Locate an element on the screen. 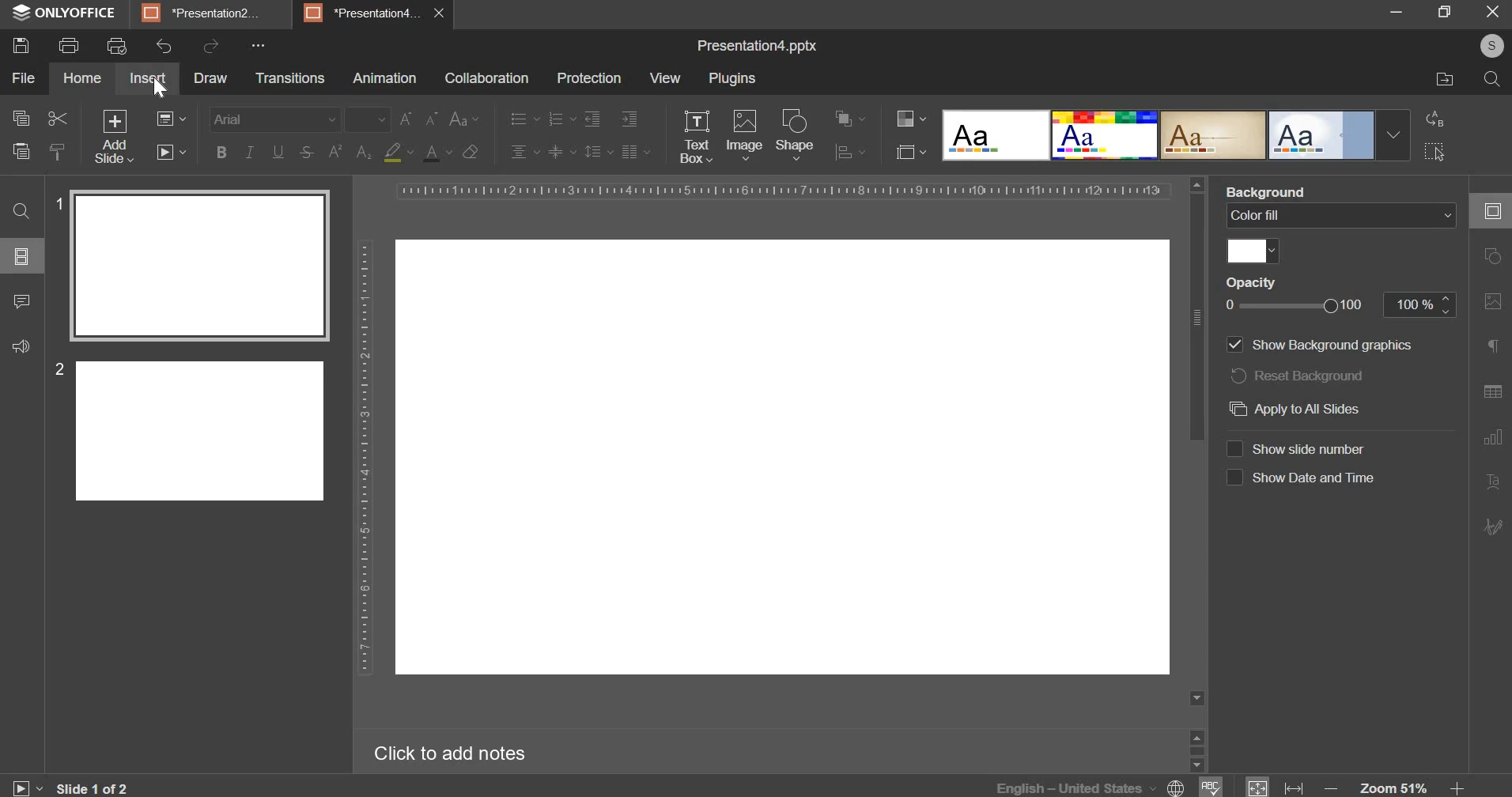 The height and width of the screenshot is (797, 1512). Background is located at coordinates (1281, 191).